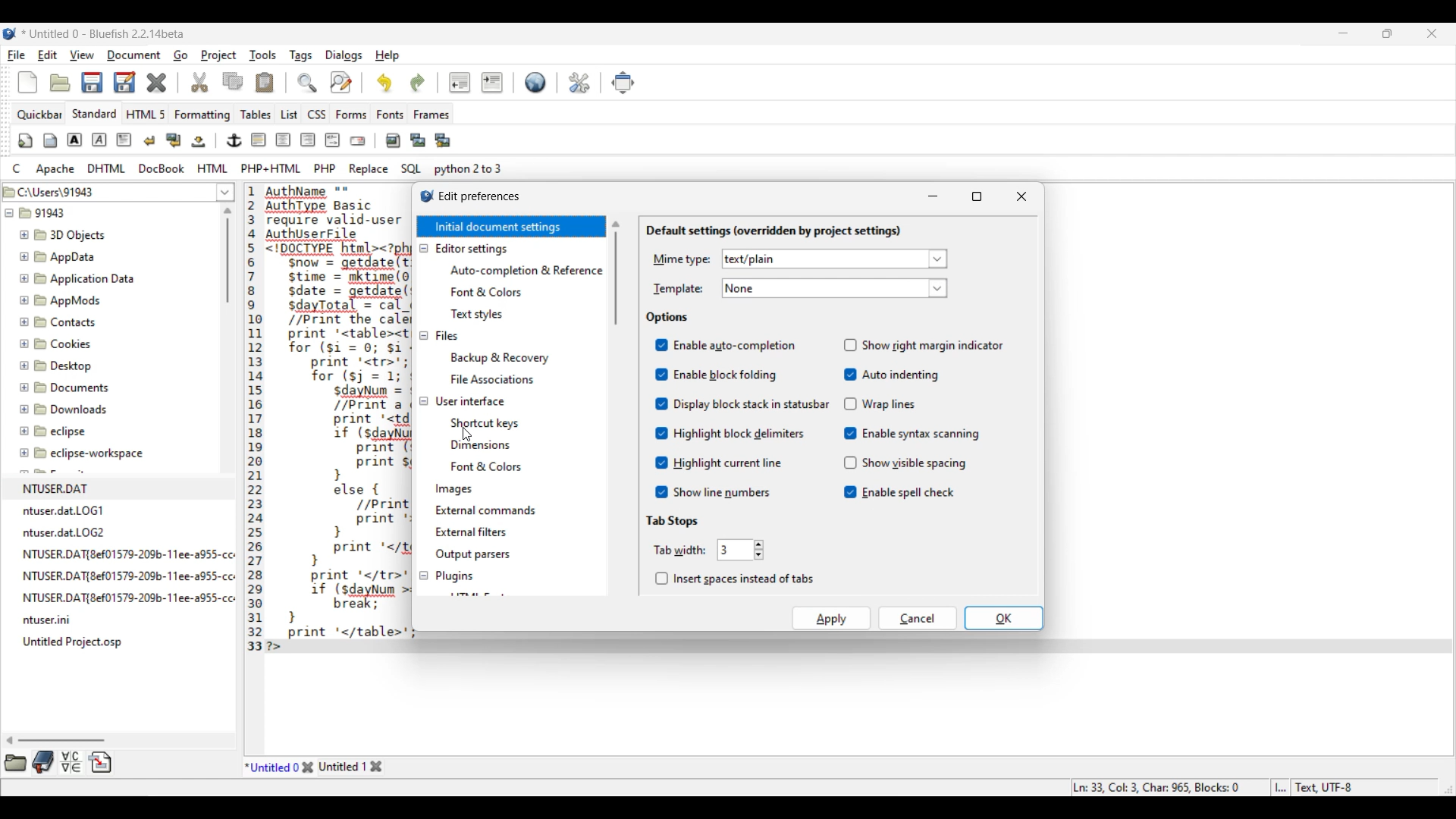  What do you see at coordinates (616, 273) in the screenshot?
I see `Vertical slide bar` at bounding box center [616, 273].